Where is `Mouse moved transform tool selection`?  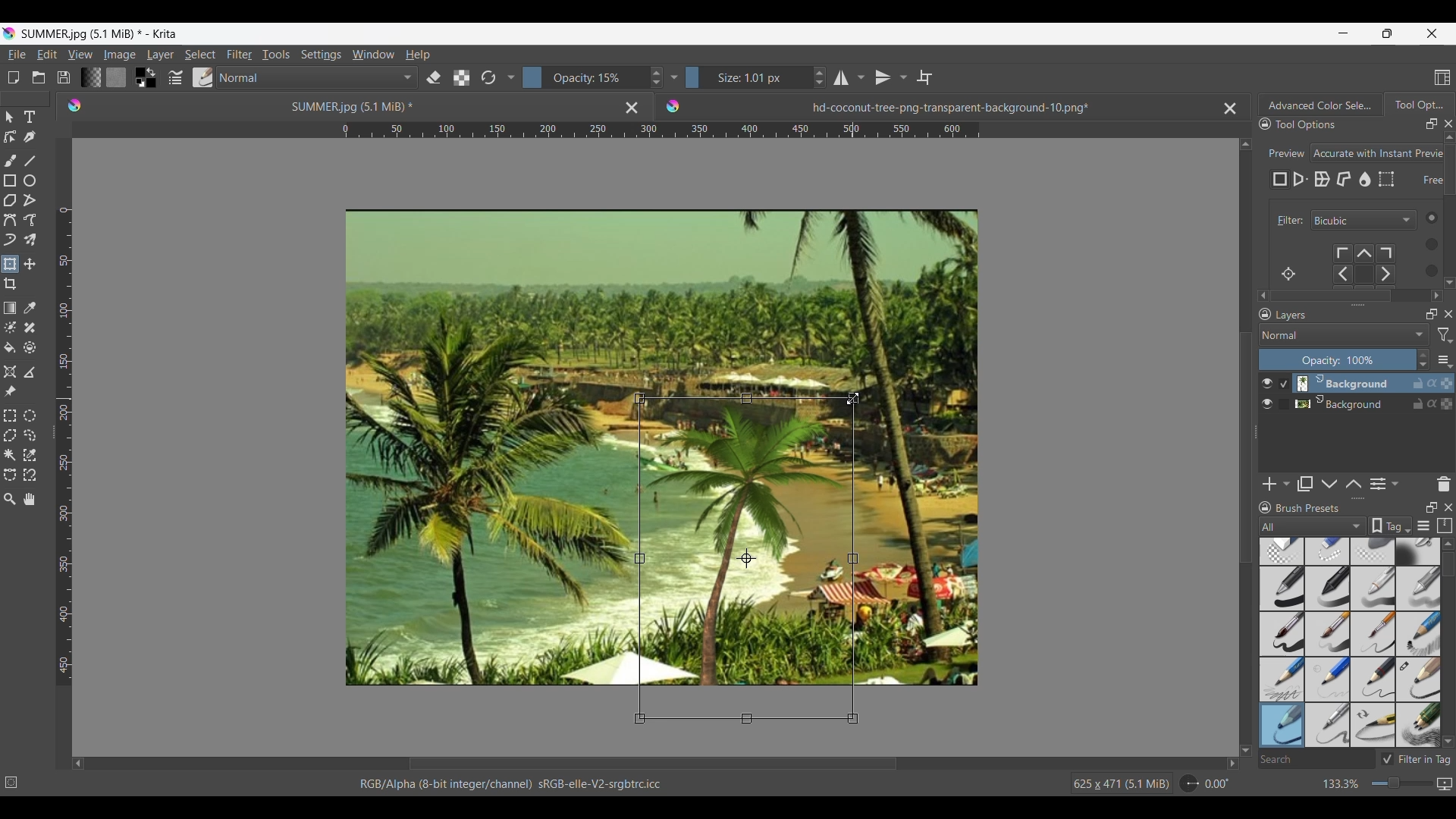
Mouse moved transform tool selection is located at coordinates (853, 398).